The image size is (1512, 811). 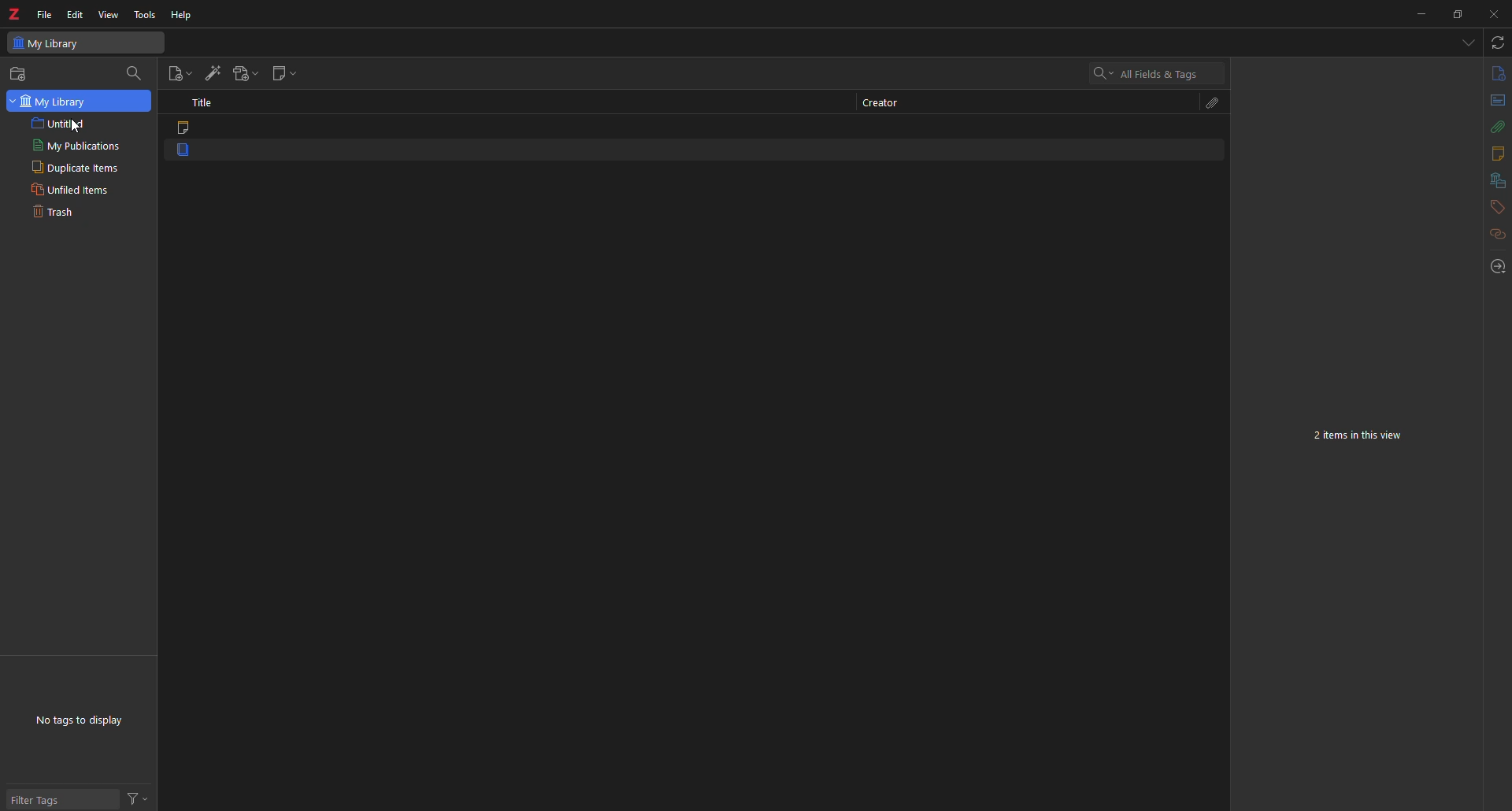 What do you see at coordinates (210, 104) in the screenshot?
I see `title` at bounding box center [210, 104].